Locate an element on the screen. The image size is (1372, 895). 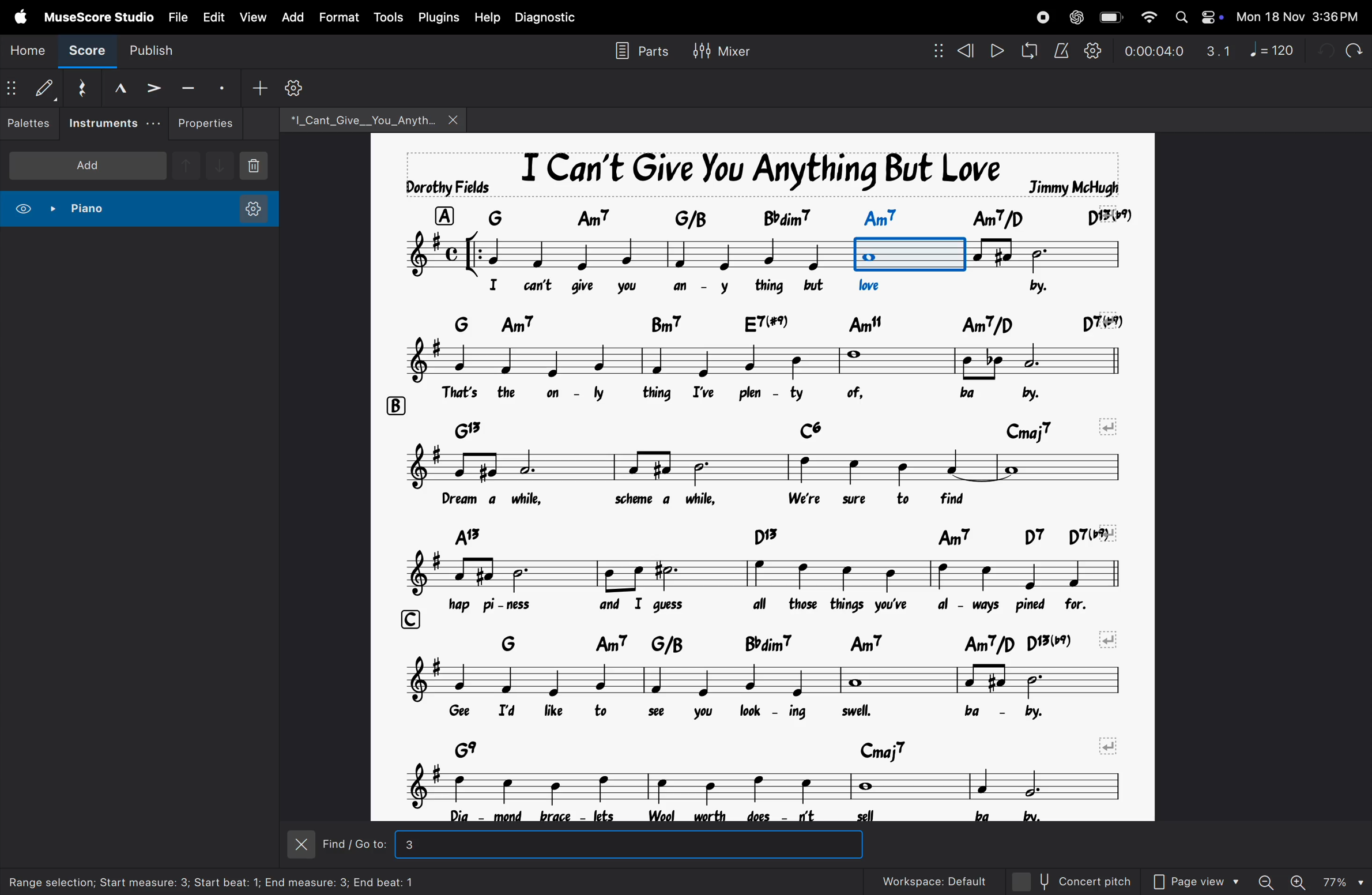
song title is located at coordinates (753, 174).